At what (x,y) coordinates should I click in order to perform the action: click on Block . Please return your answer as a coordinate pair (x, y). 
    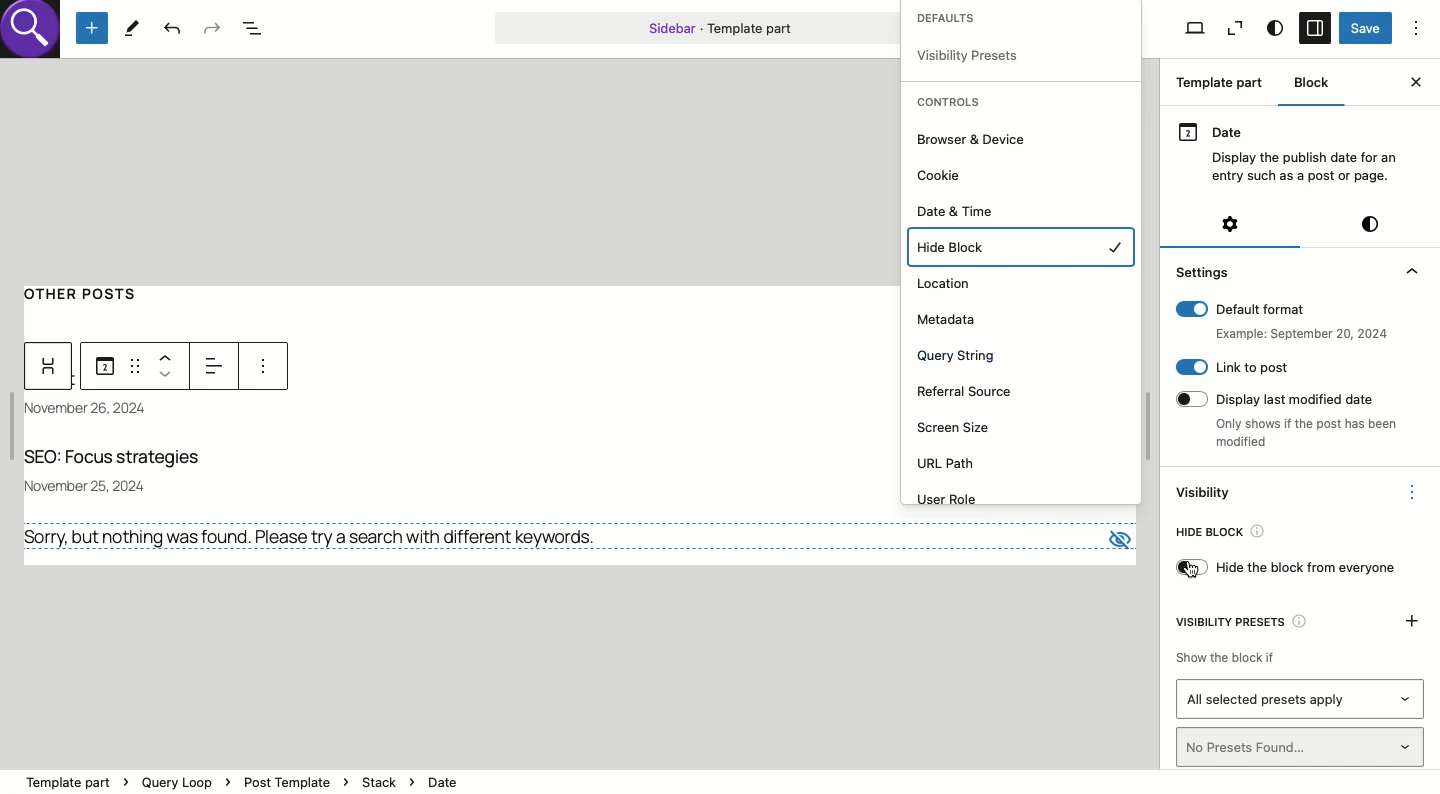
    Looking at the image, I should click on (1314, 82).